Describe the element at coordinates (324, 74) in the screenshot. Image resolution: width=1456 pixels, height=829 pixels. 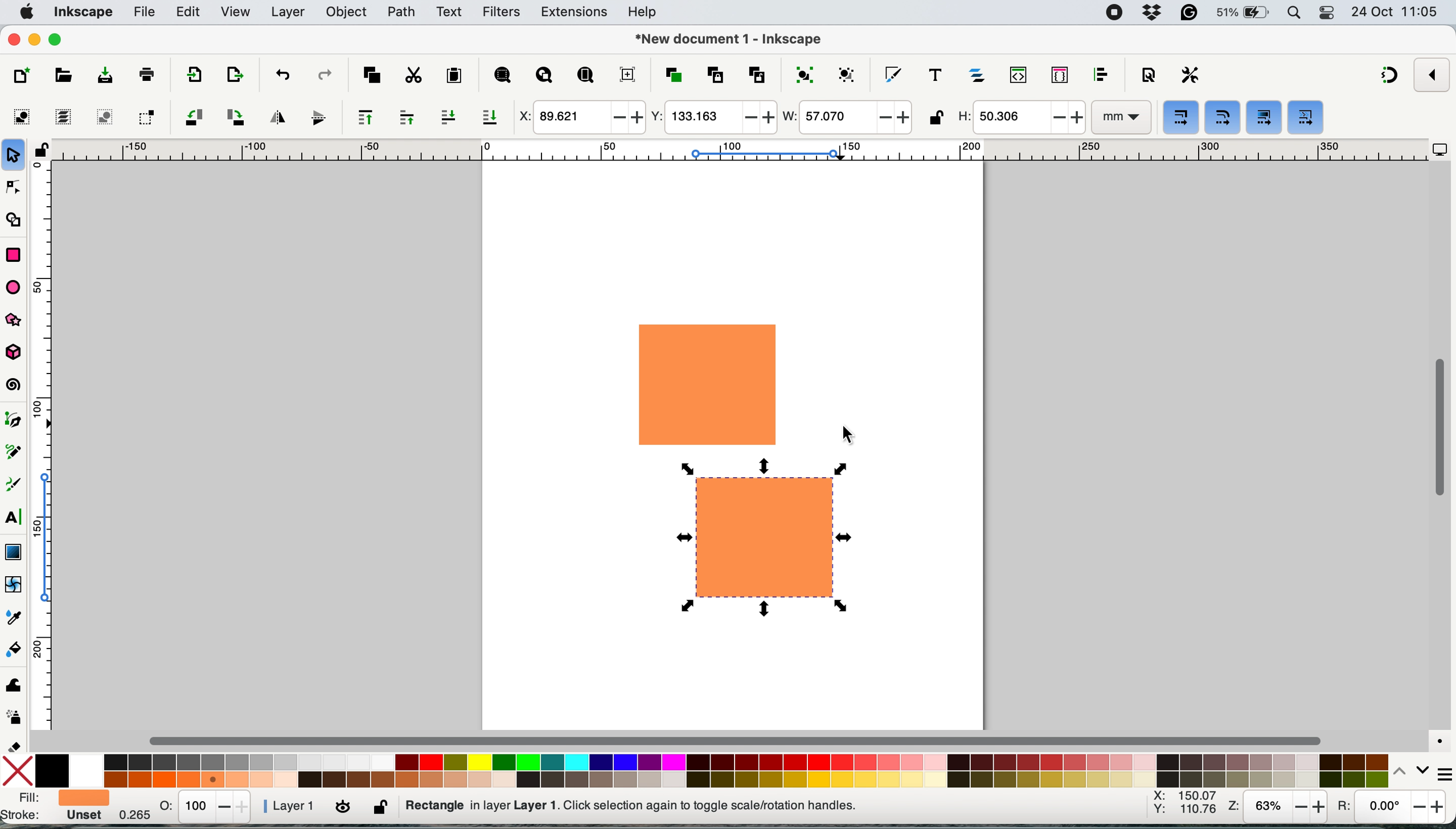
I see `redo` at that location.